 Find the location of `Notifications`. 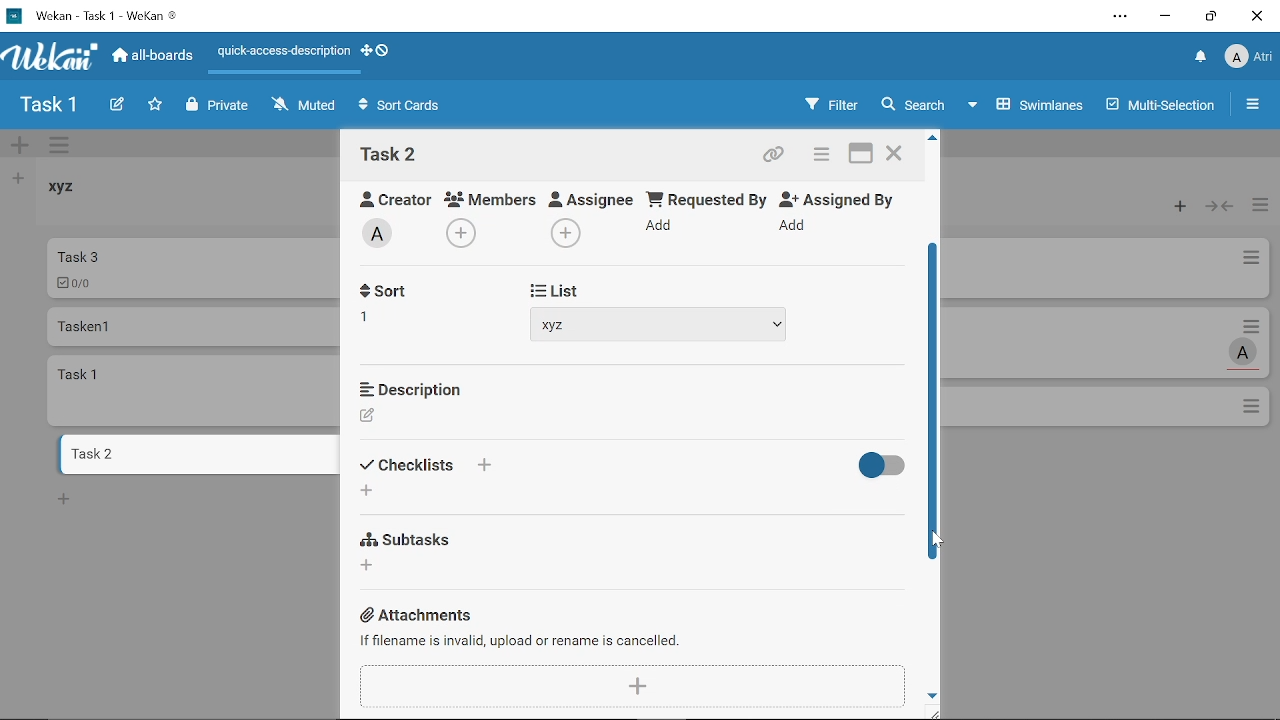

Notifications is located at coordinates (1201, 58).